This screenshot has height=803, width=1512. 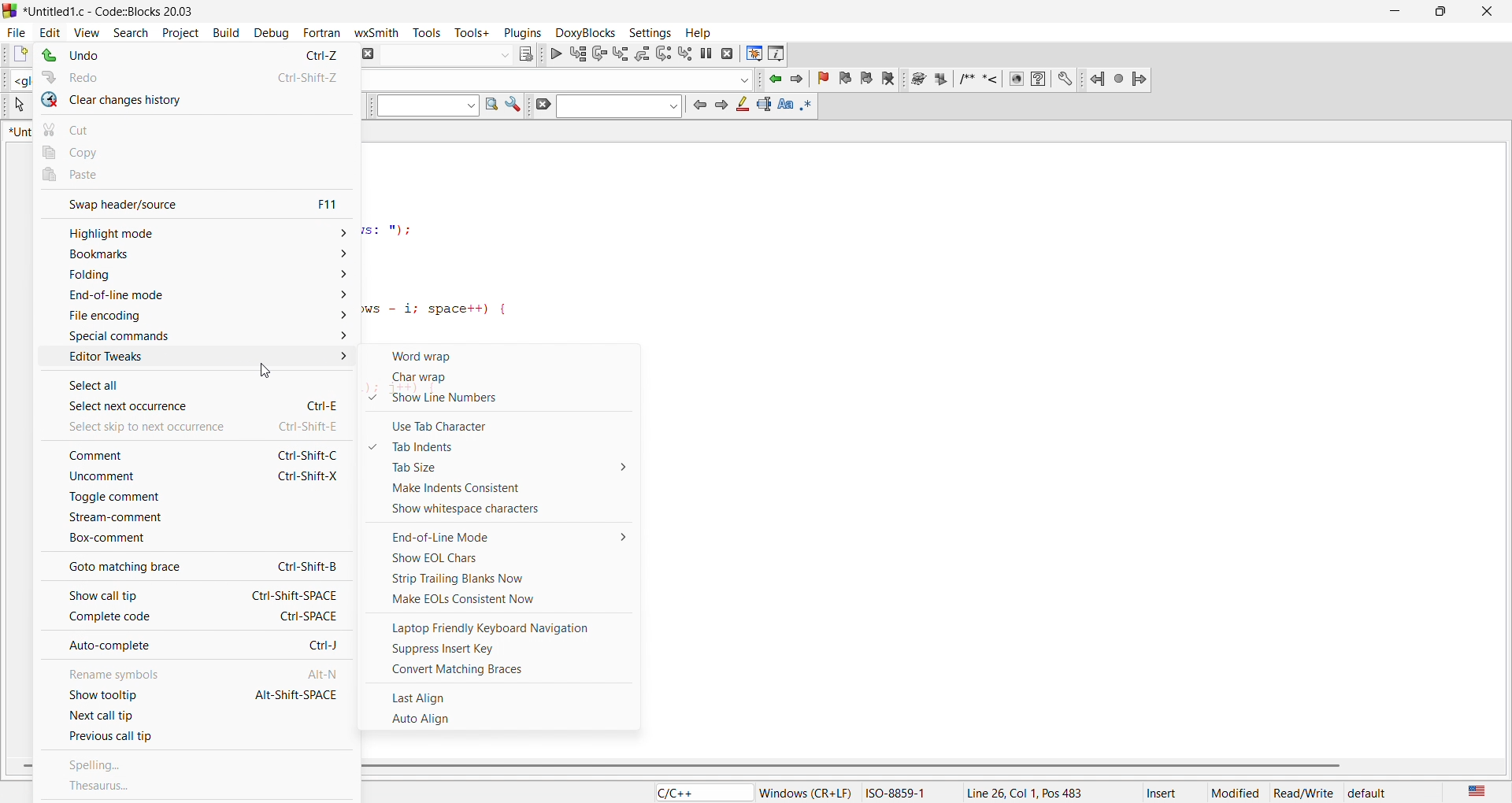 What do you see at coordinates (194, 128) in the screenshot?
I see `cut` at bounding box center [194, 128].